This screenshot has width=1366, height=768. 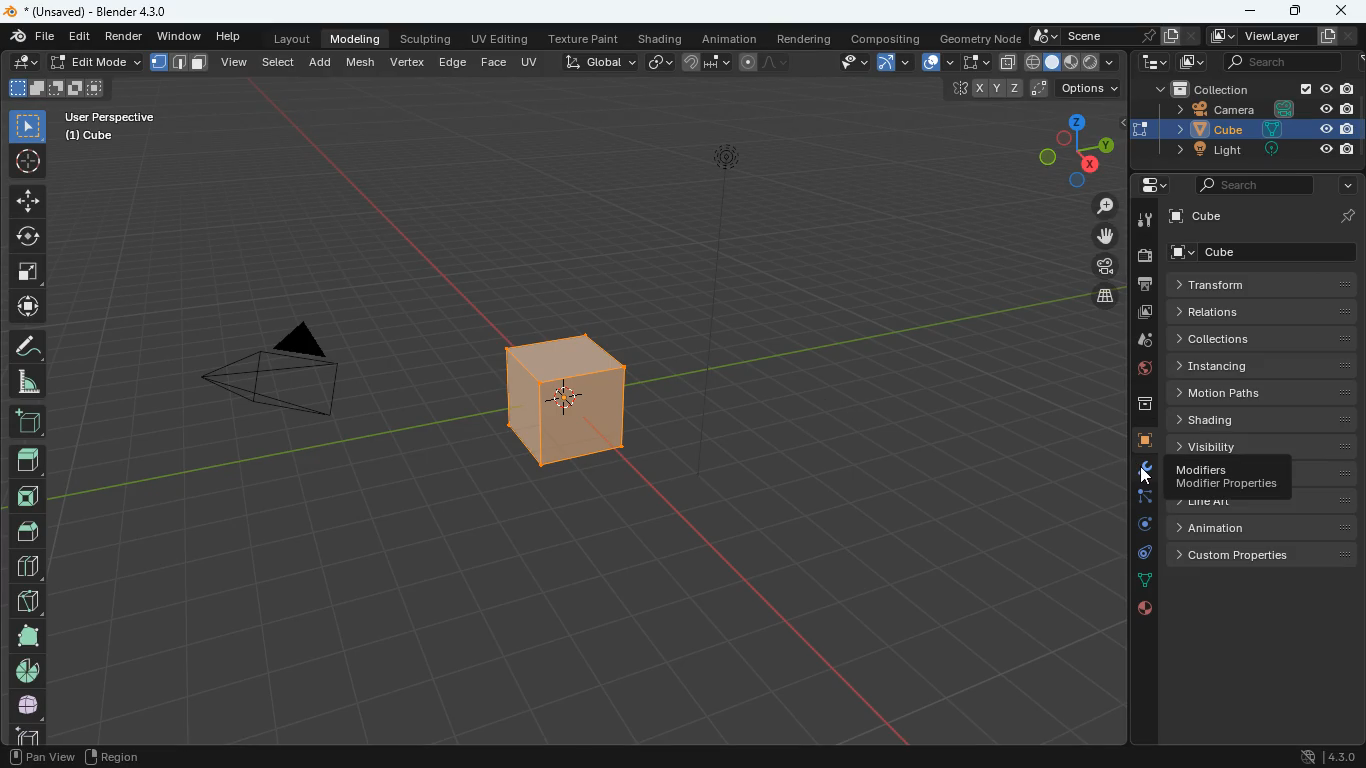 What do you see at coordinates (272, 376) in the screenshot?
I see `camera` at bounding box center [272, 376].